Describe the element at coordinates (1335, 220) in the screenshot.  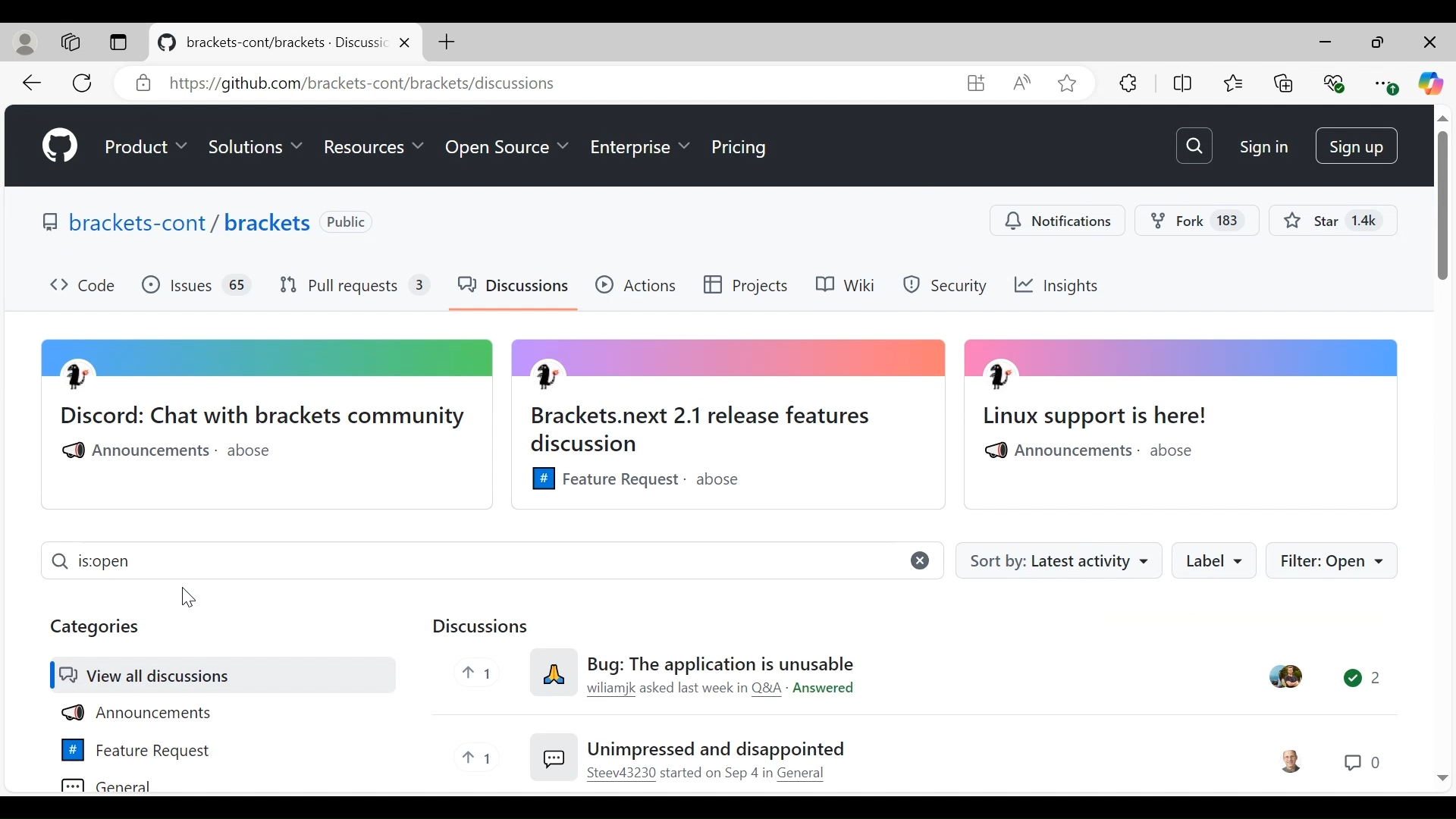
I see `Star ` at that location.